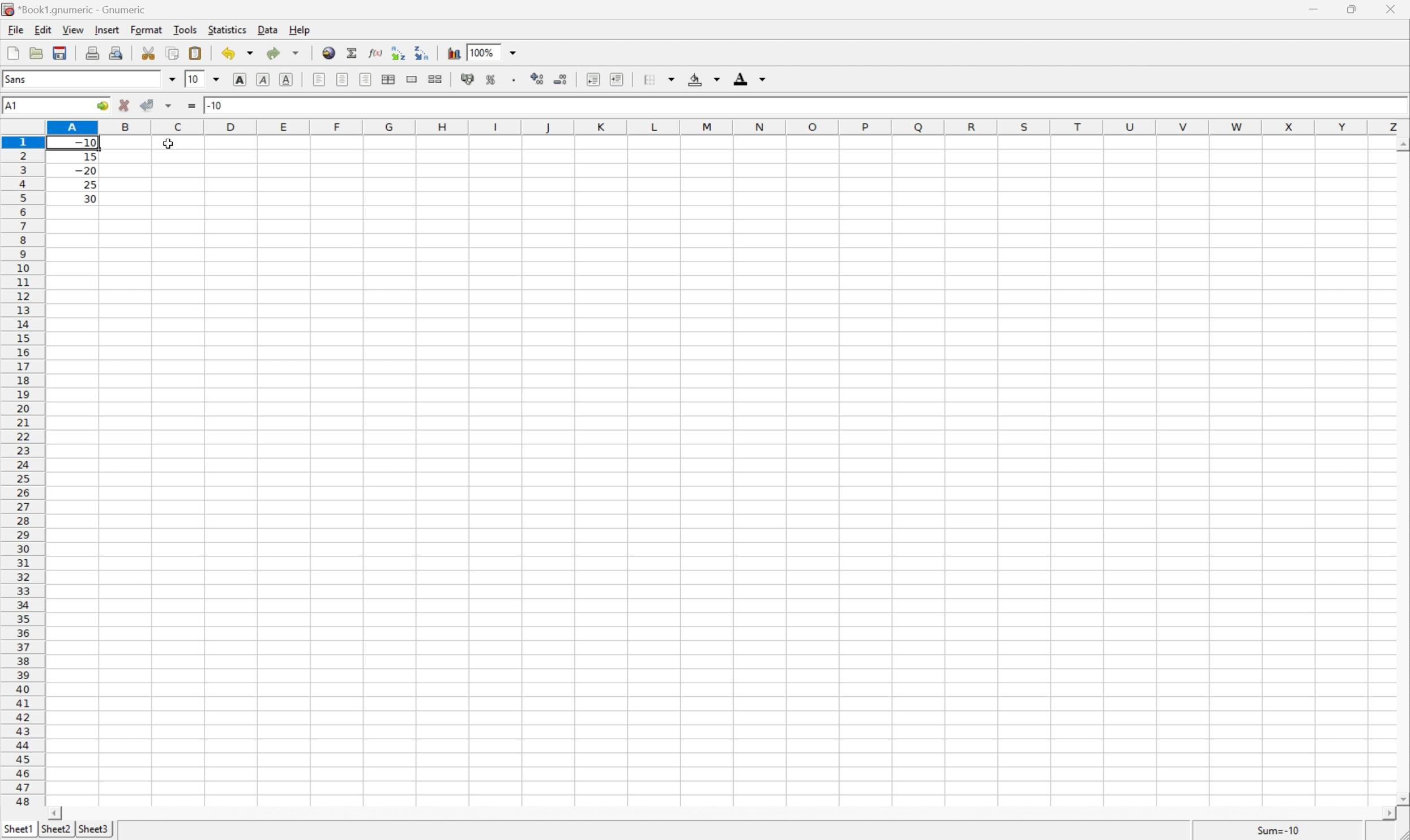 This screenshot has height=840, width=1410. Describe the element at coordinates (151, 53) in the screenshot. I see `Cut the selection` at that location.